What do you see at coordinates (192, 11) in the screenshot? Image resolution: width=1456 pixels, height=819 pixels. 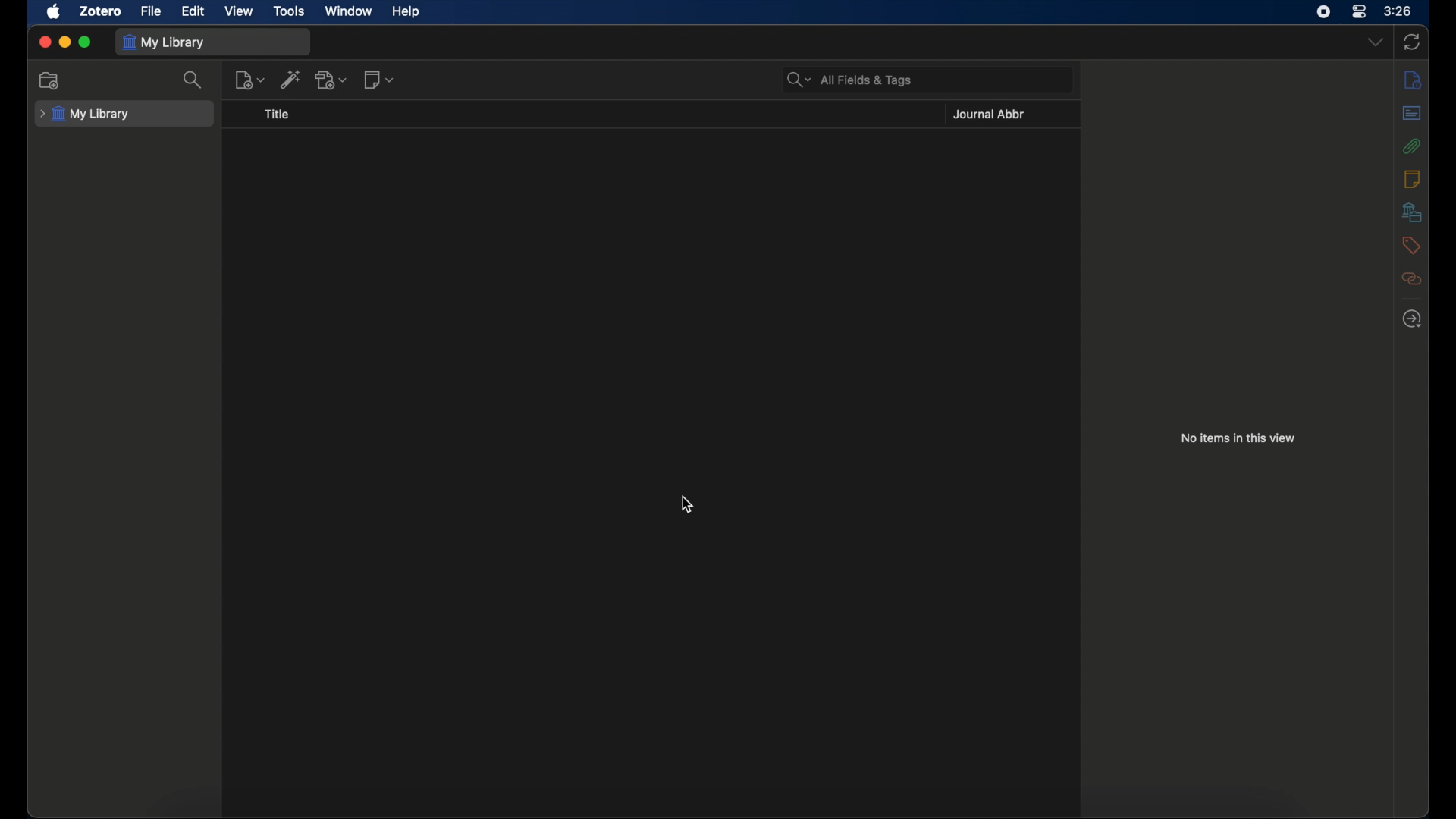 I see `edit` at bounding box center [192, 11].